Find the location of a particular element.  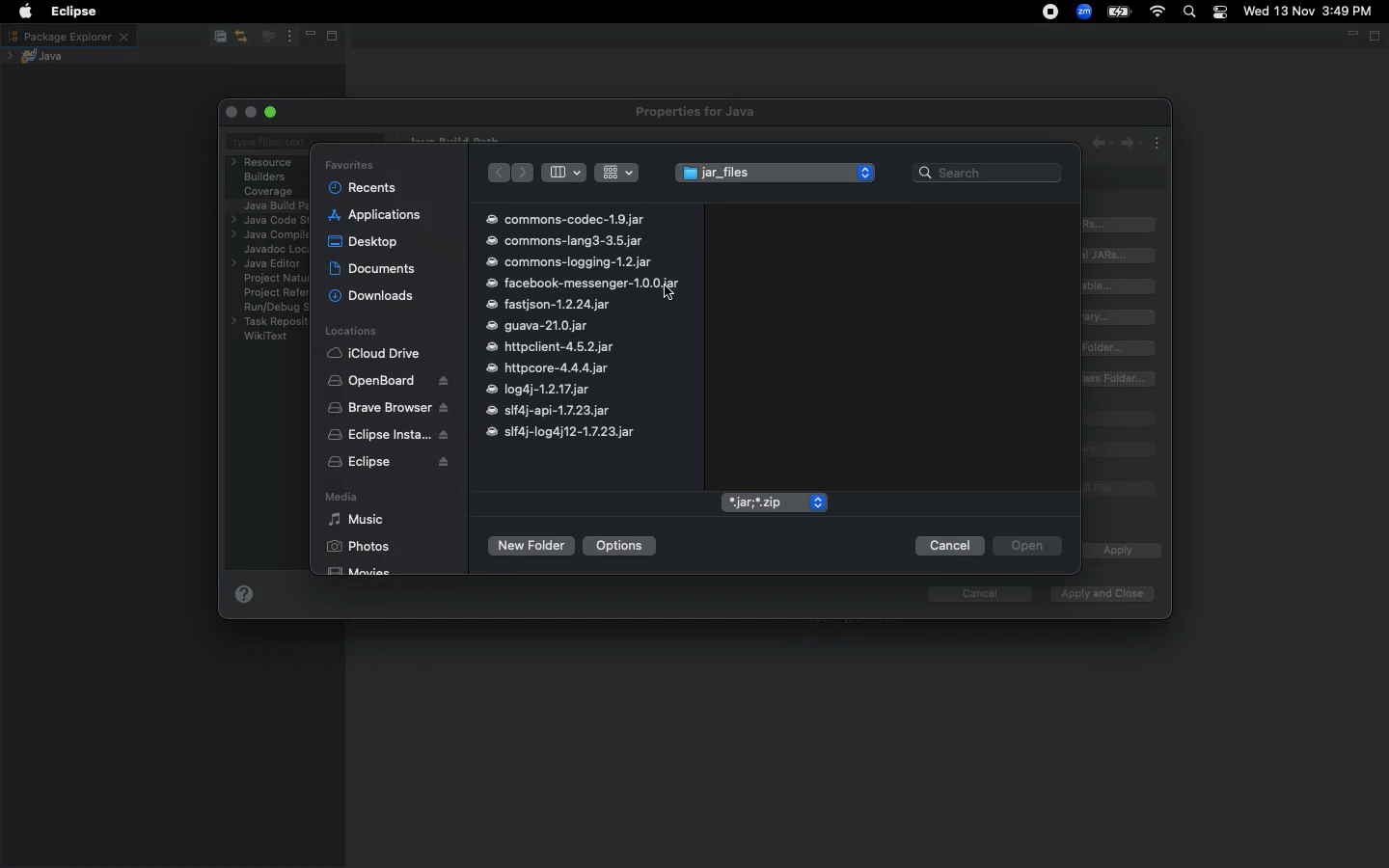

commons-codec-1.9.jar commons-lang3-3.5.jar commons-logging-1.2.jar facebook-messenger-1.0.0.jar fastjson-1.2.24.jar guava-21.0.jar httpclient-4.5.2.jar httpcore-4.4.4.jar log4j-1.2.17.jar slf4j-api-1.7.23.jar slf4j-log4j12-1.7.23.jar is located at coordinates (582, 326).